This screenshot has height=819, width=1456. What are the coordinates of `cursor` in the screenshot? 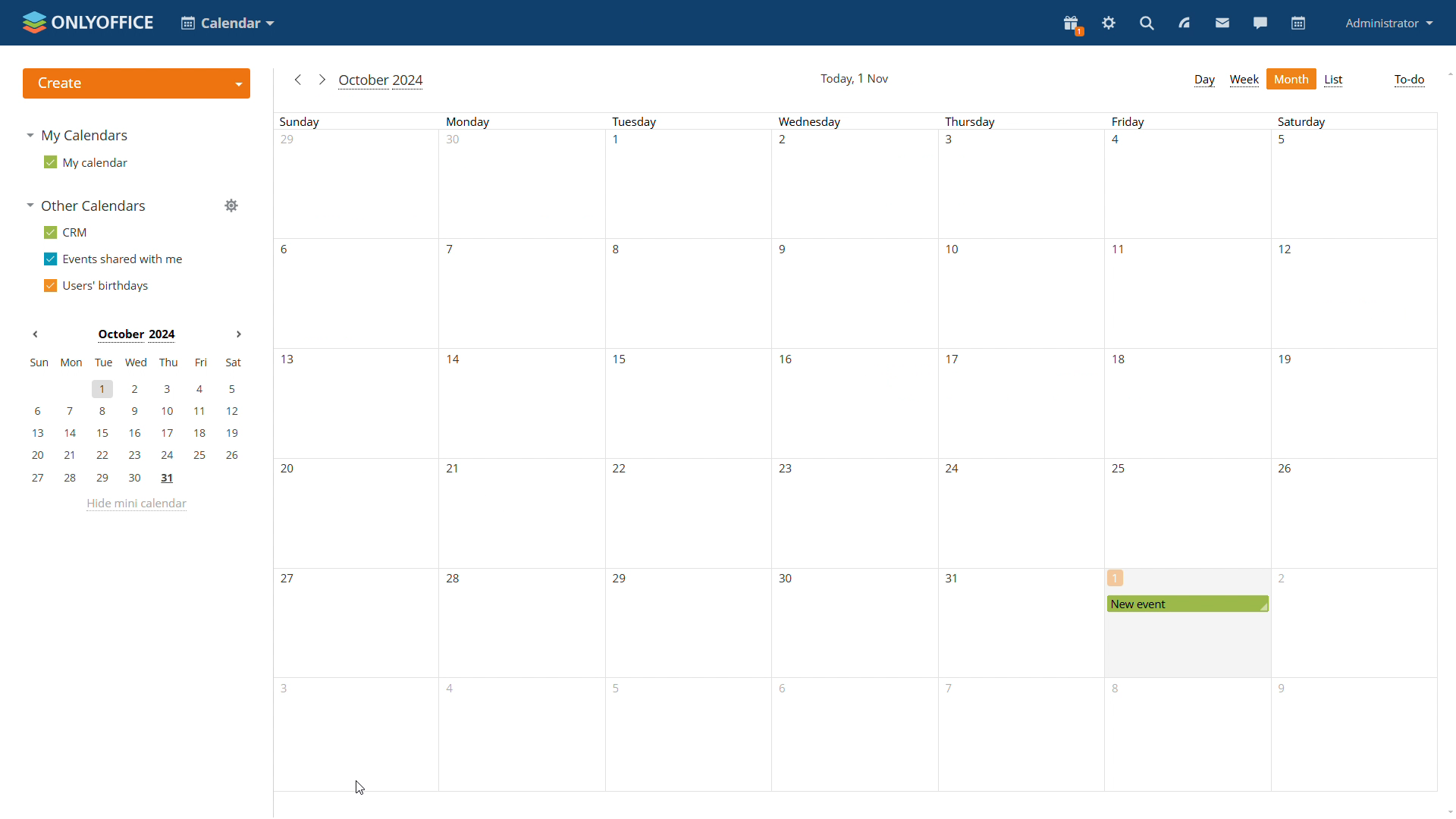 It's located at (359, 787).